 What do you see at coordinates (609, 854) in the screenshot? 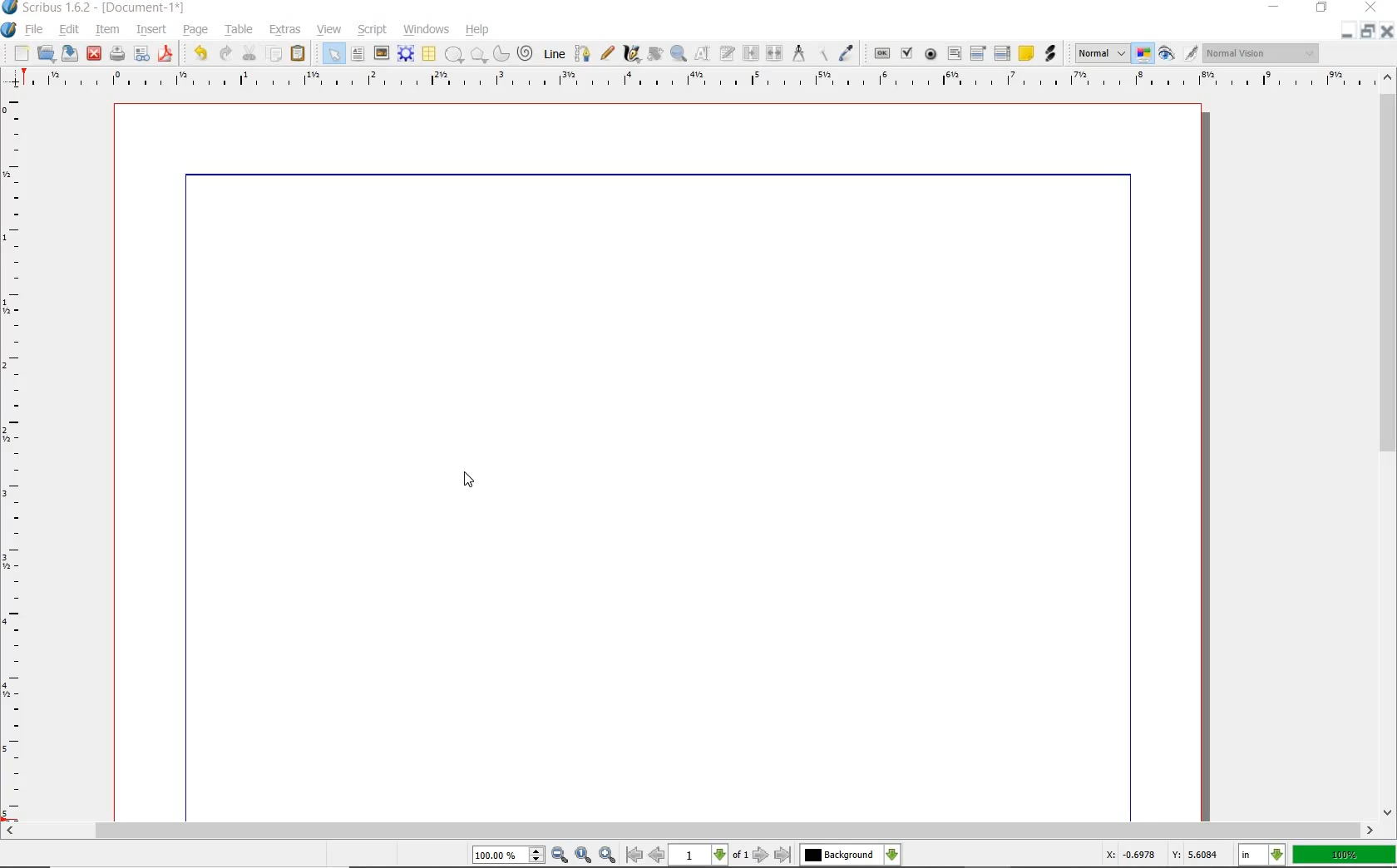
I see `zoom in` at bounding box center [609, 854].